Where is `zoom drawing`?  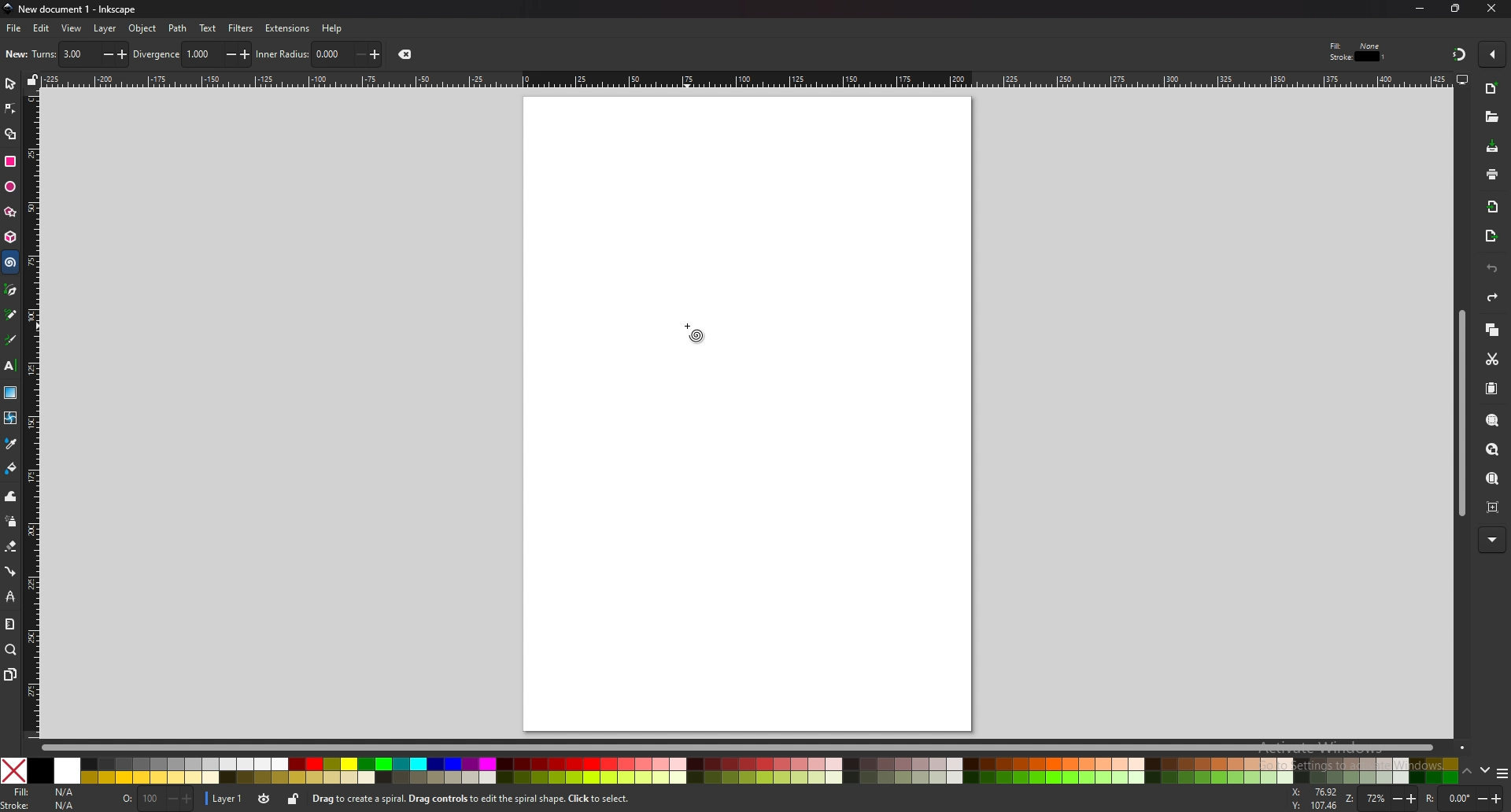 zoom drawing is located at coordinates (1492, 448).